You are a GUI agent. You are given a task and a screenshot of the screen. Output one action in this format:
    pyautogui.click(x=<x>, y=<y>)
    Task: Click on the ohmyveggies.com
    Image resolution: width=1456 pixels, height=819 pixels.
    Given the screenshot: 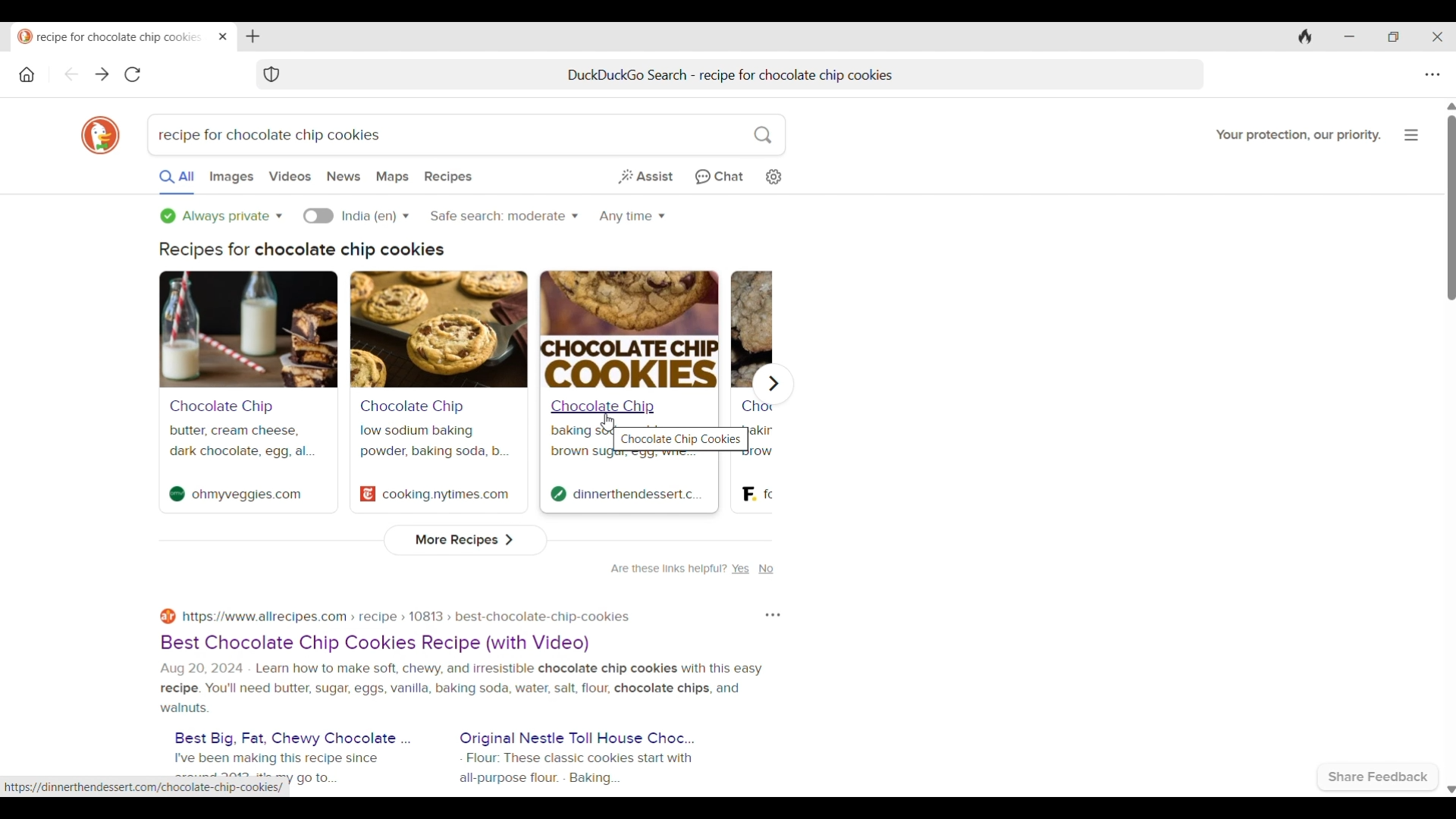 What is the action you would take?
    pyautogui.click(x=247, y=496)
    